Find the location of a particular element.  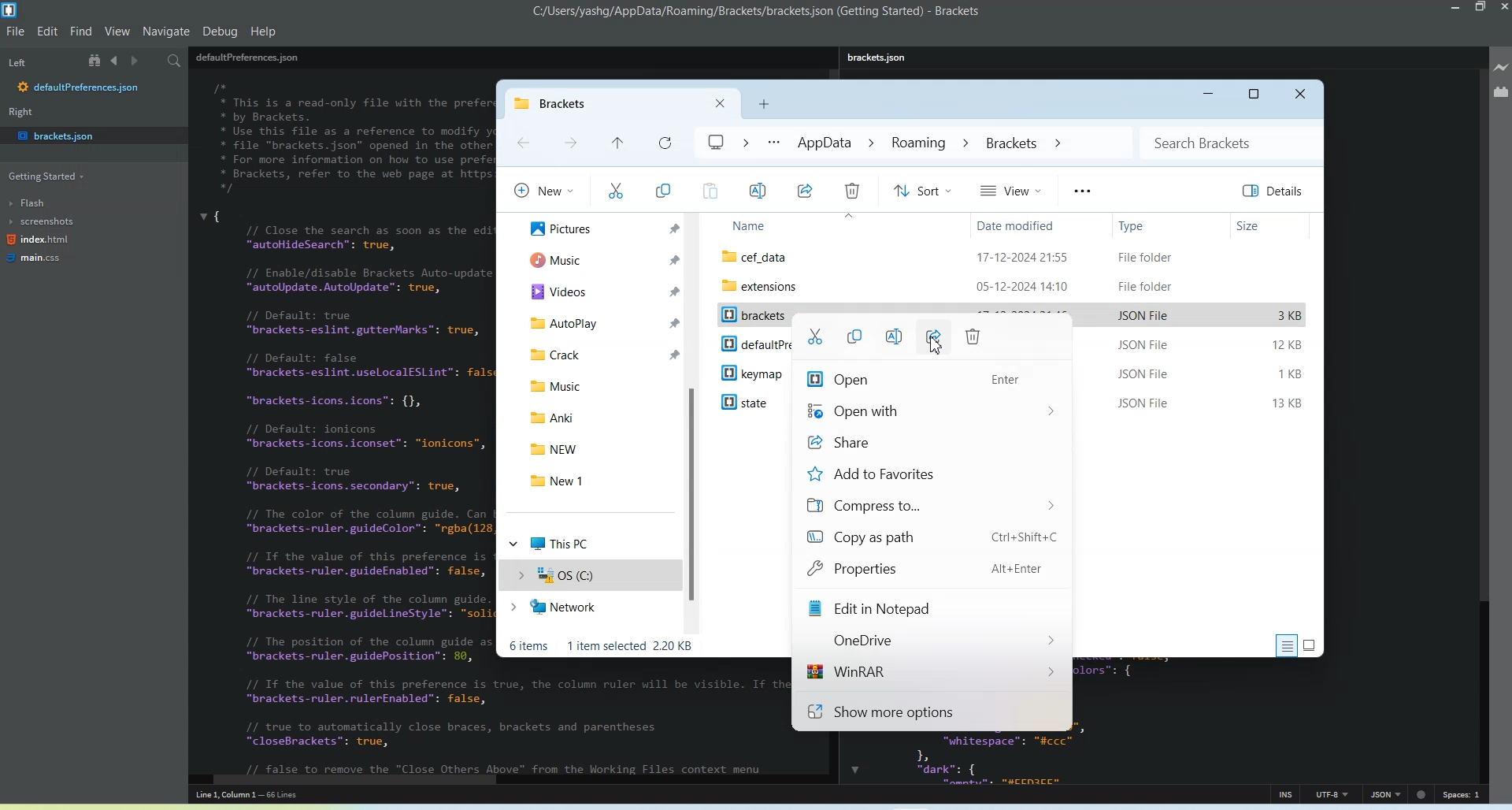

File Path Address is located at coordinates (882, 143).